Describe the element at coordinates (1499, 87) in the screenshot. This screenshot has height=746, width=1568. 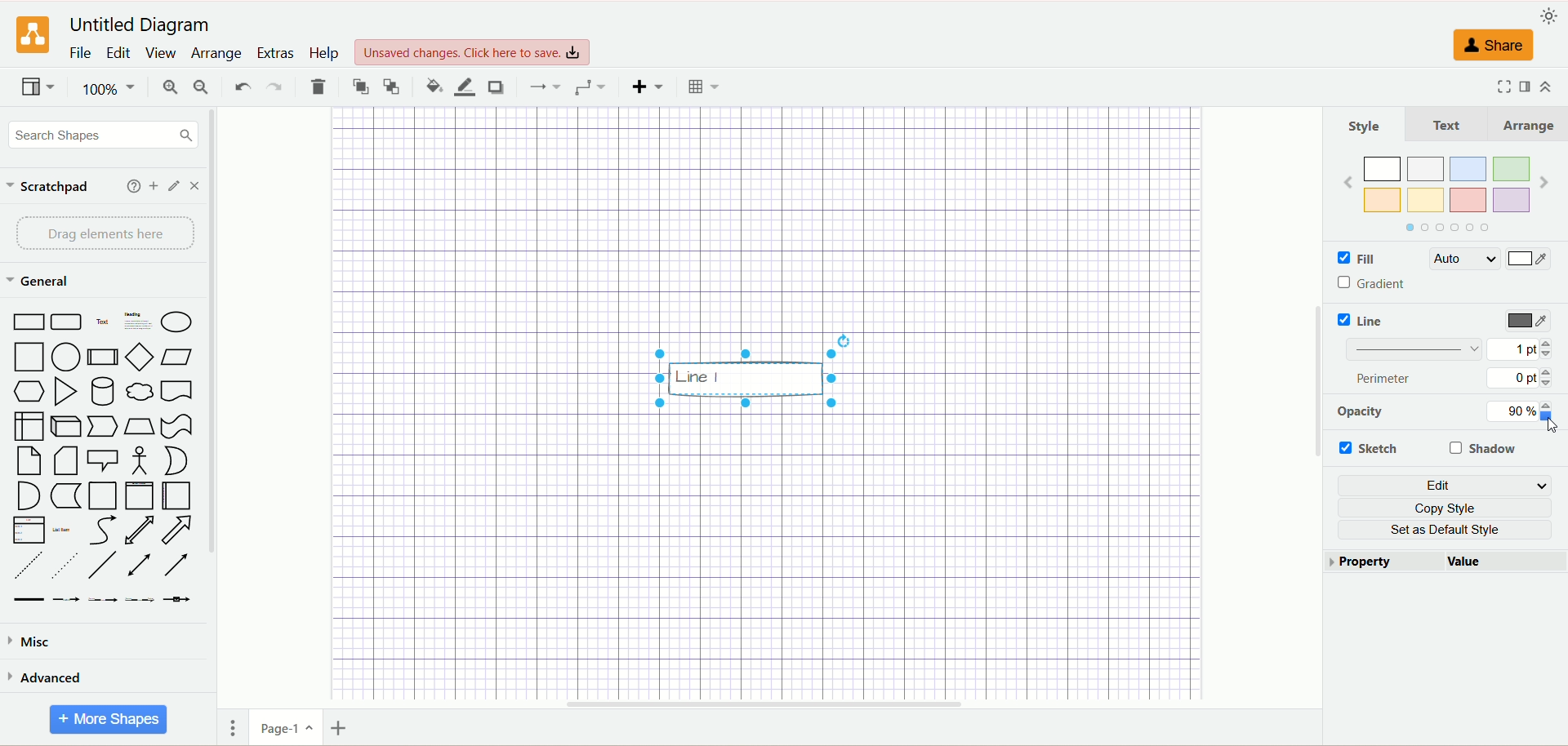
I see `fullscreen` at that location.